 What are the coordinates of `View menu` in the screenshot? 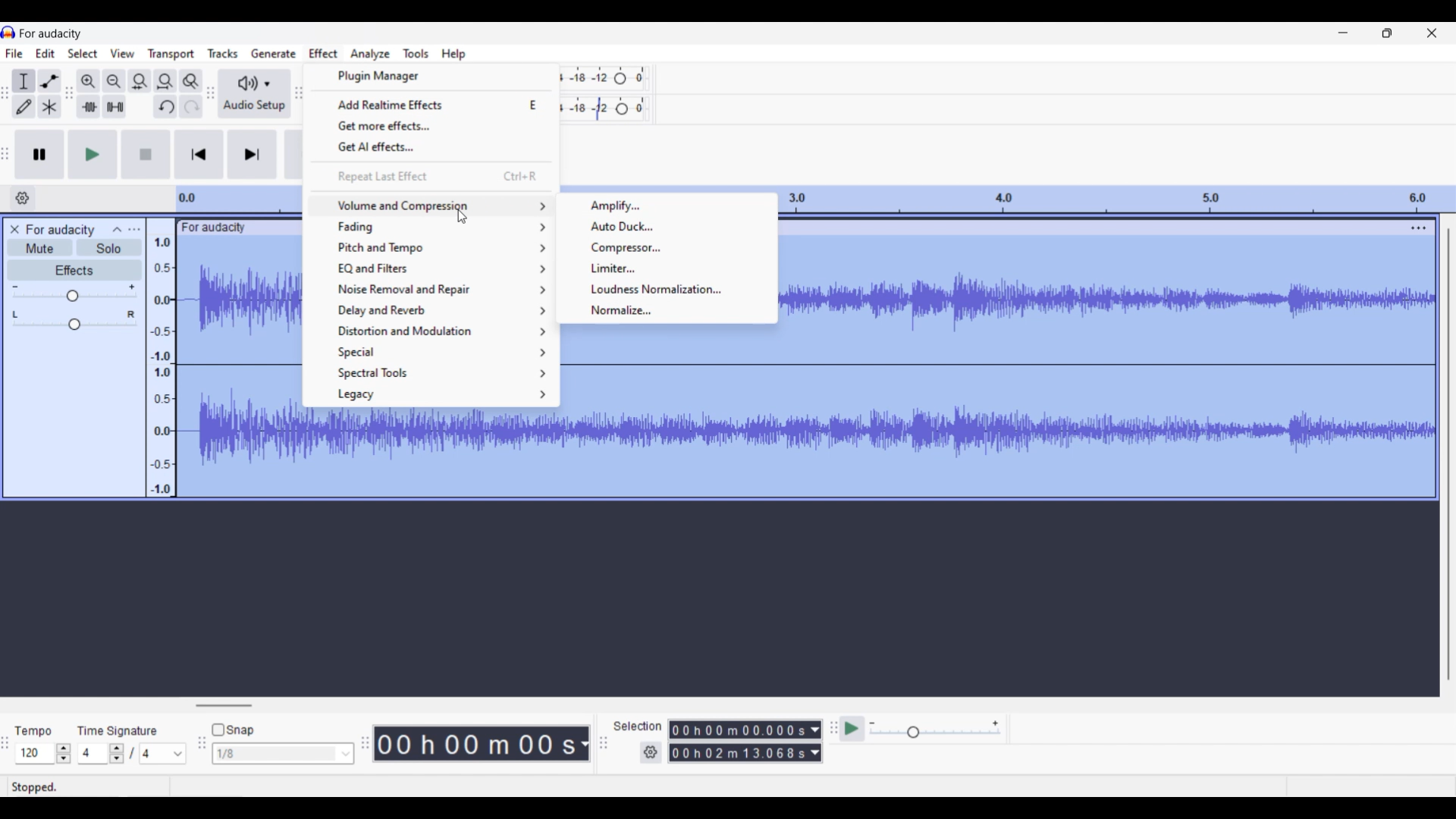 It's located at (122, 53).